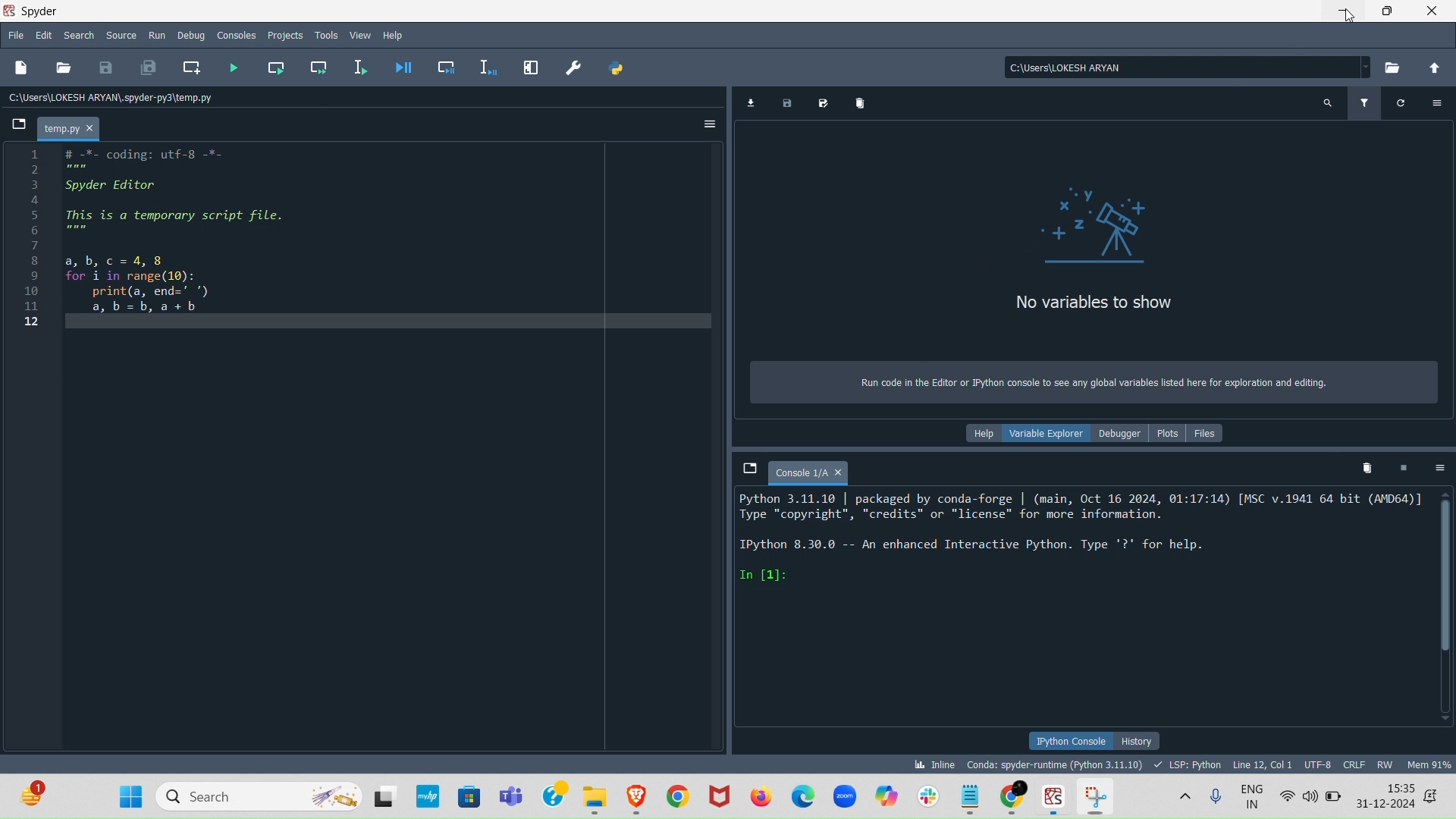  What do you see at coordinates (1179, 63) in the screenshot?
I see `File path` at bounding box center [1179, 63].